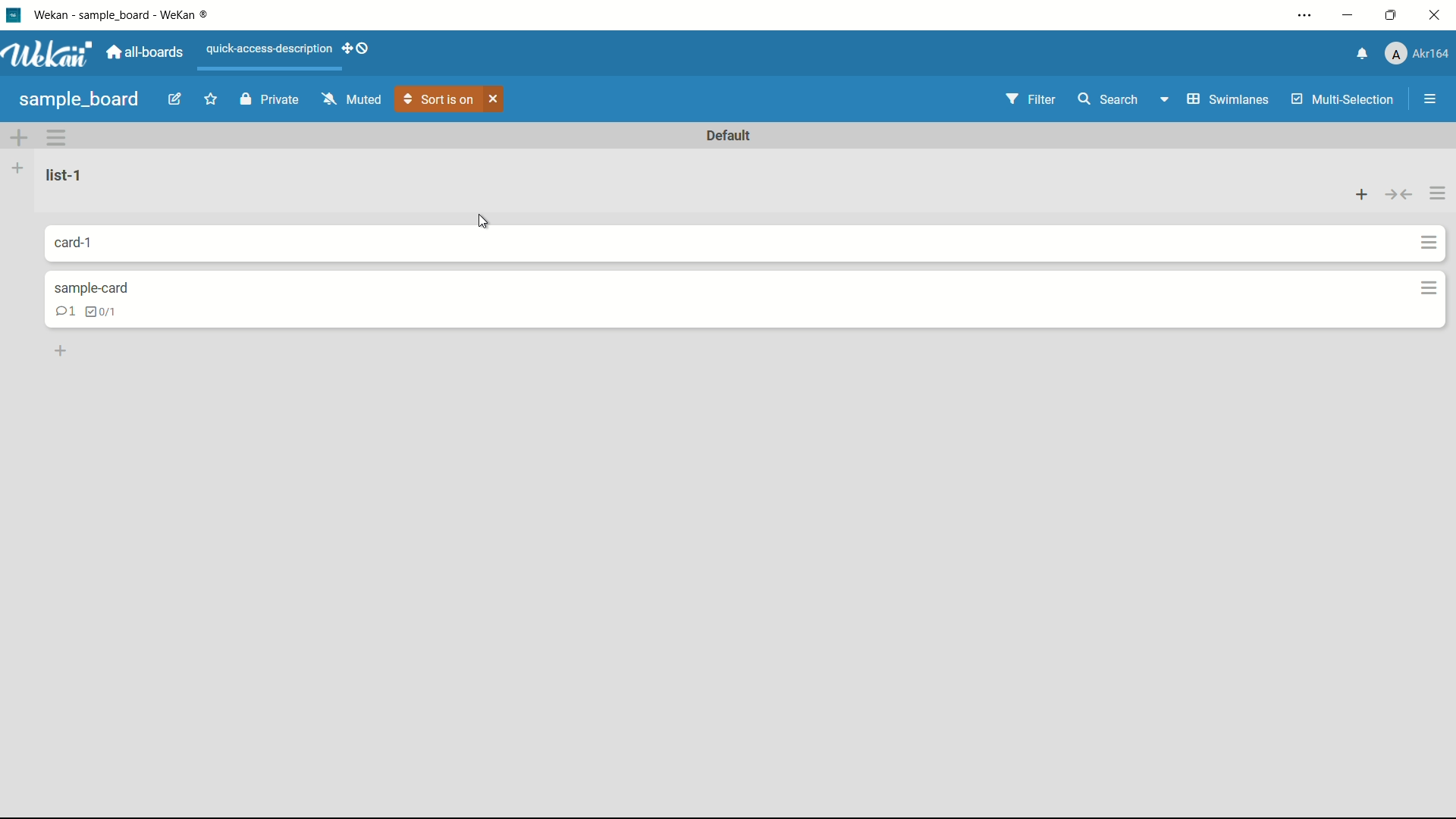 The width and height of the screenshot is (1456, 819). Describe the element at coordinates (13, 14) in the screenshot. I see `app icon` at that location.